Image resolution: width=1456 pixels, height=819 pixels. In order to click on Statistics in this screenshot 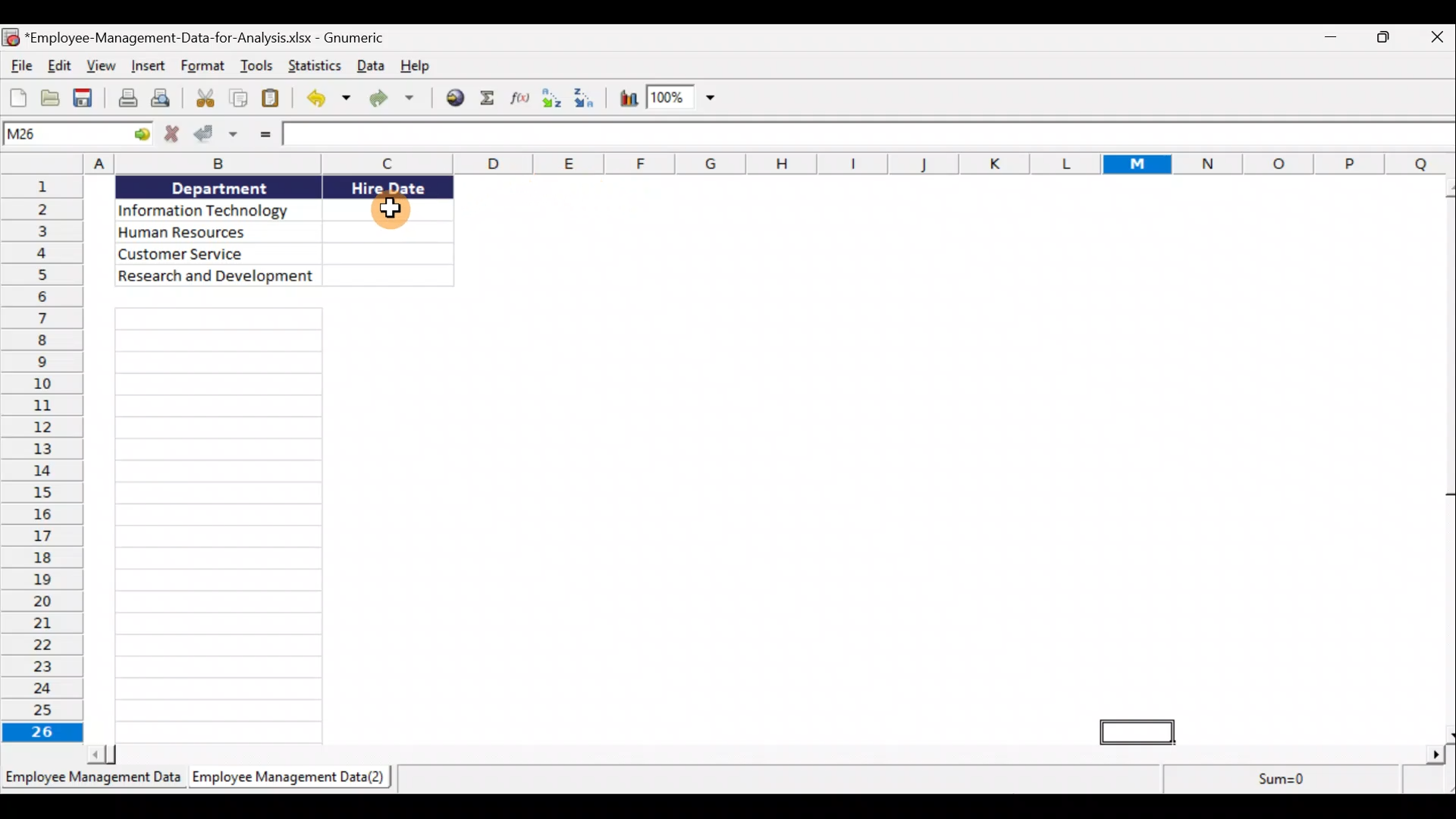, I will do `click(313, 65)`.